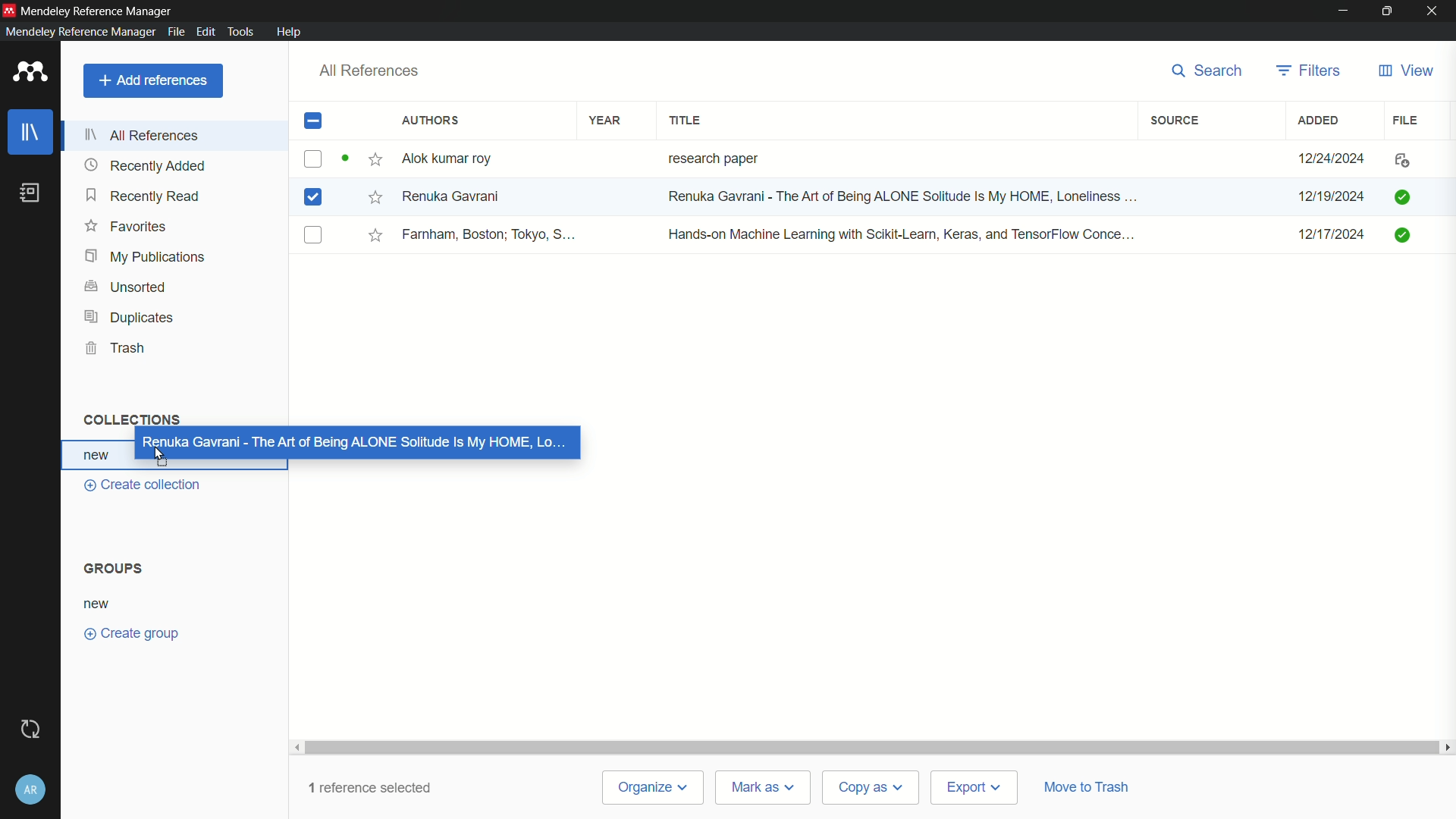  I want to click on app icon, so click(9, 10).